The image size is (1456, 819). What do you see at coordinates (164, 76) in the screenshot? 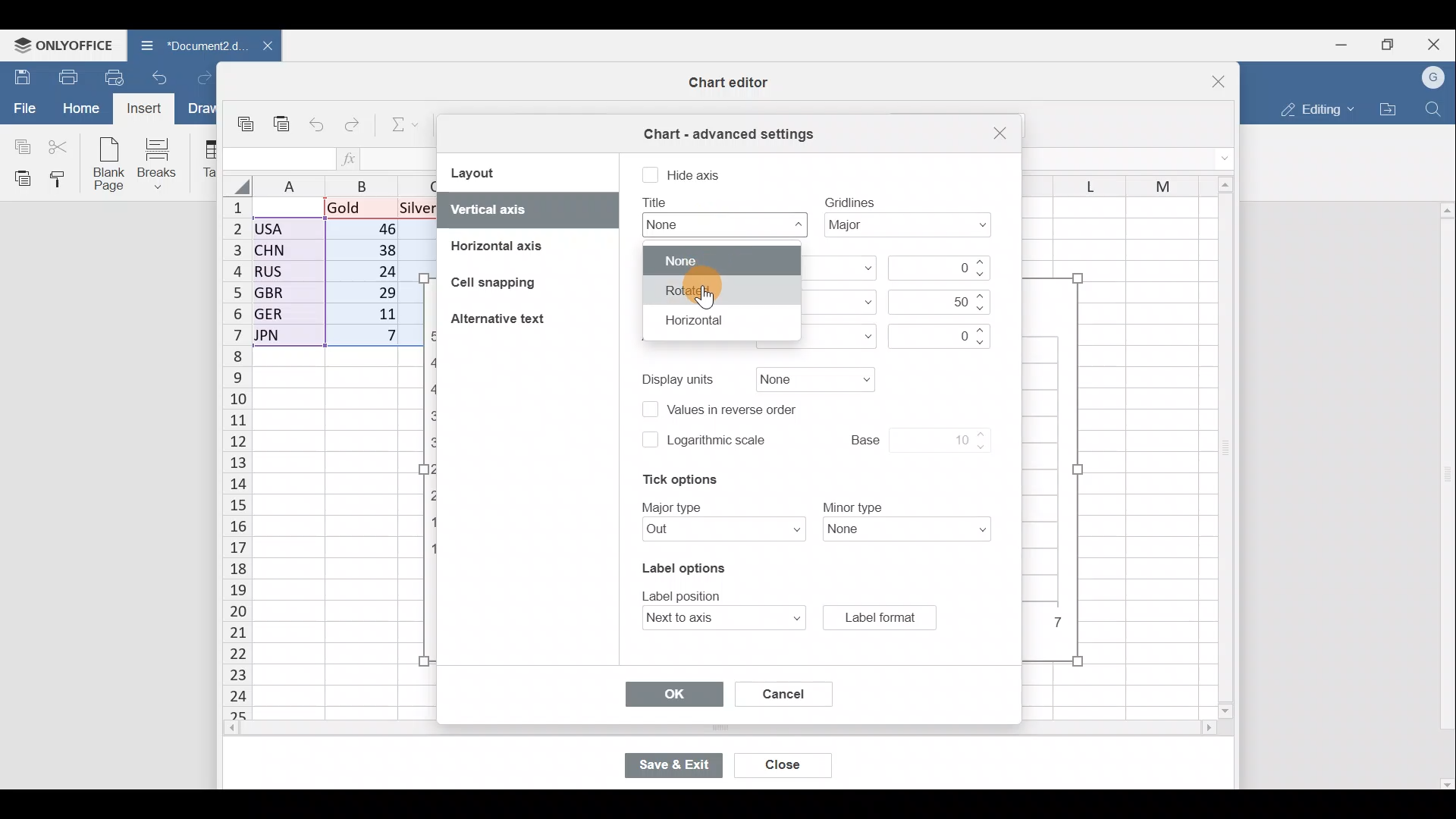
I see `Undo` at bounding box center [164, 76].